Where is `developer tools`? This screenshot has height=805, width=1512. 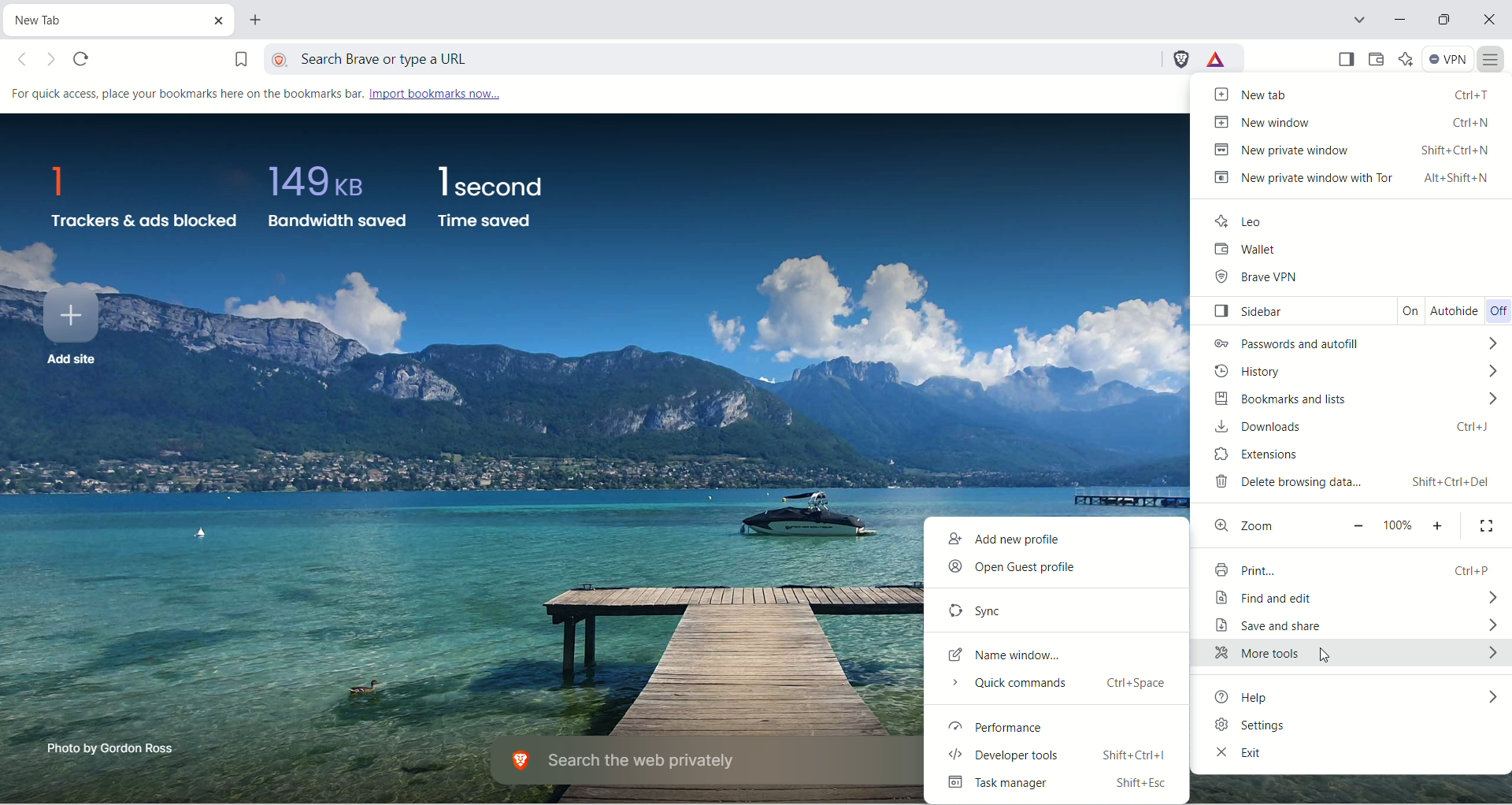
developer tools is located at coordinates (1065, 757).